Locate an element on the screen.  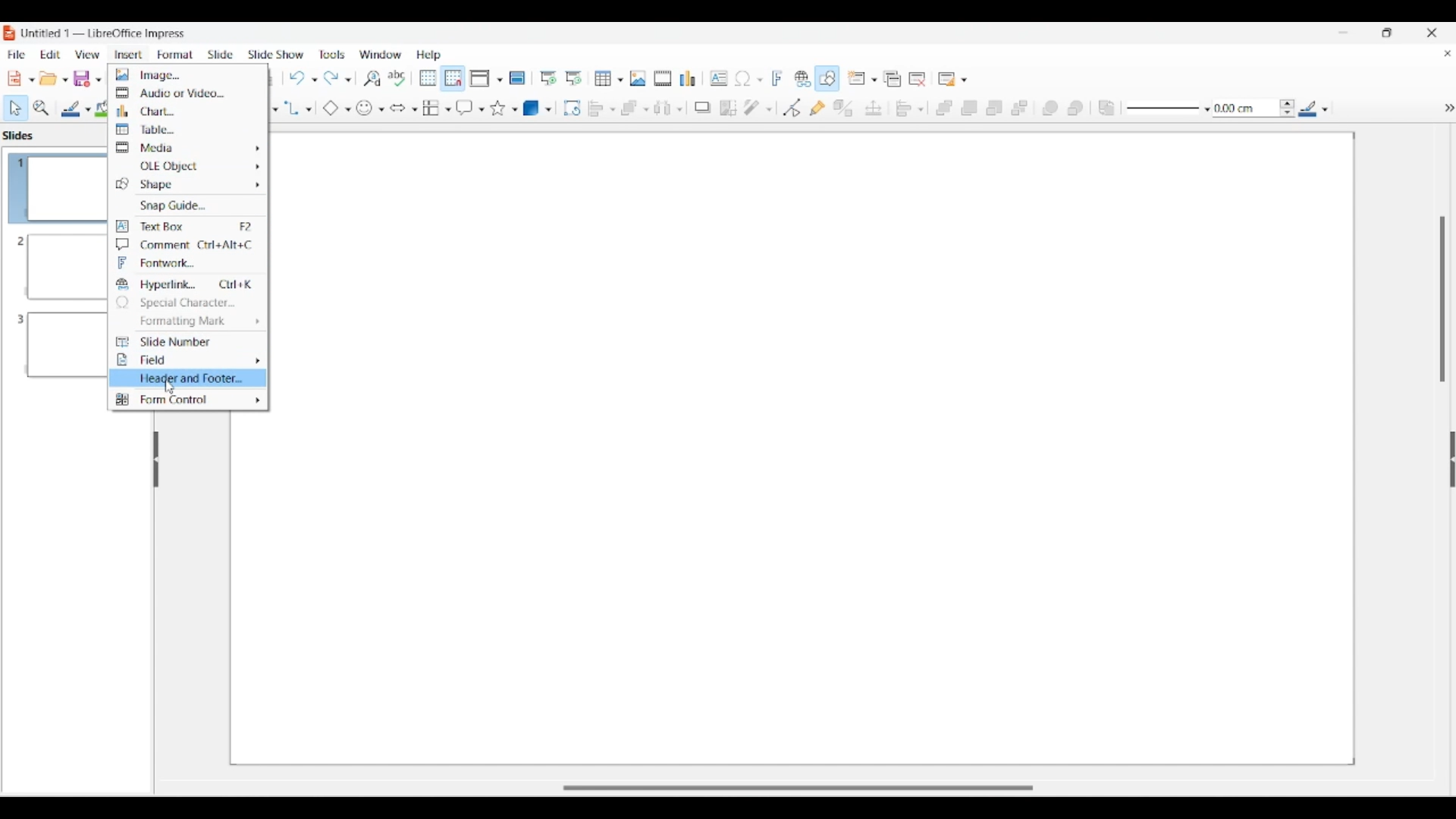
Audio or Video is located at coordinates (188, 93).